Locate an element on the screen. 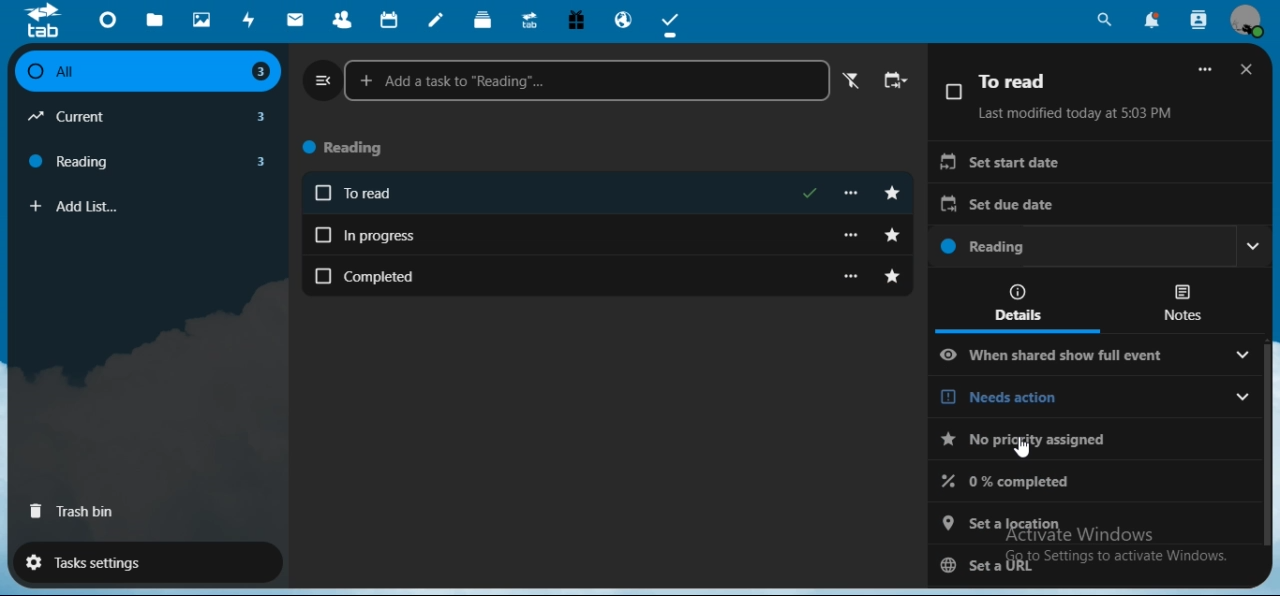 The image size is (1280, 596). files is located at coordinates (156, 21).